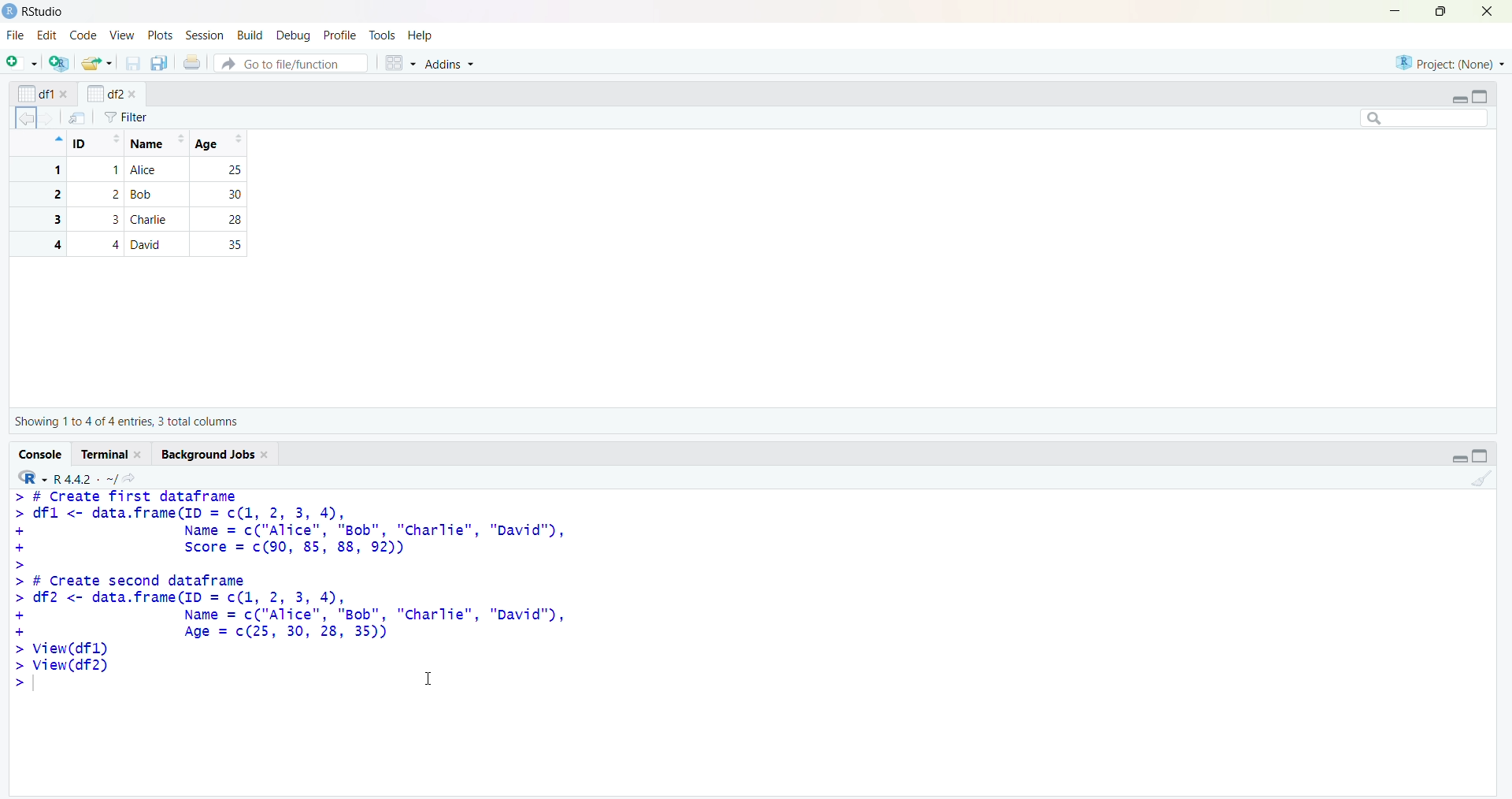 This screenshot has height=799, width=1512. I want to click on session, so click(208, 35).